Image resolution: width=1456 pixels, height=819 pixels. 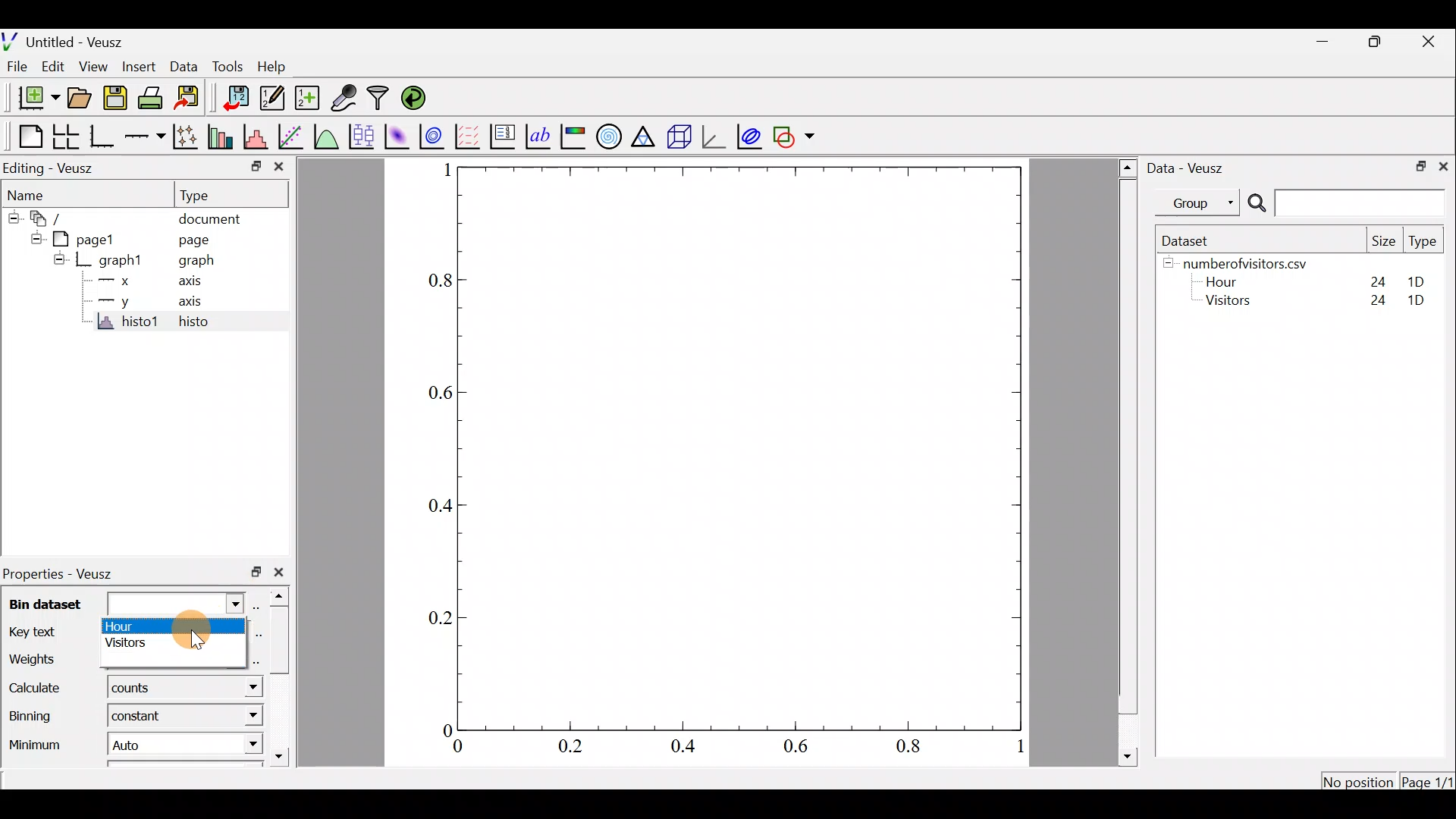 I want to click on close, so click(x=279, y=575).